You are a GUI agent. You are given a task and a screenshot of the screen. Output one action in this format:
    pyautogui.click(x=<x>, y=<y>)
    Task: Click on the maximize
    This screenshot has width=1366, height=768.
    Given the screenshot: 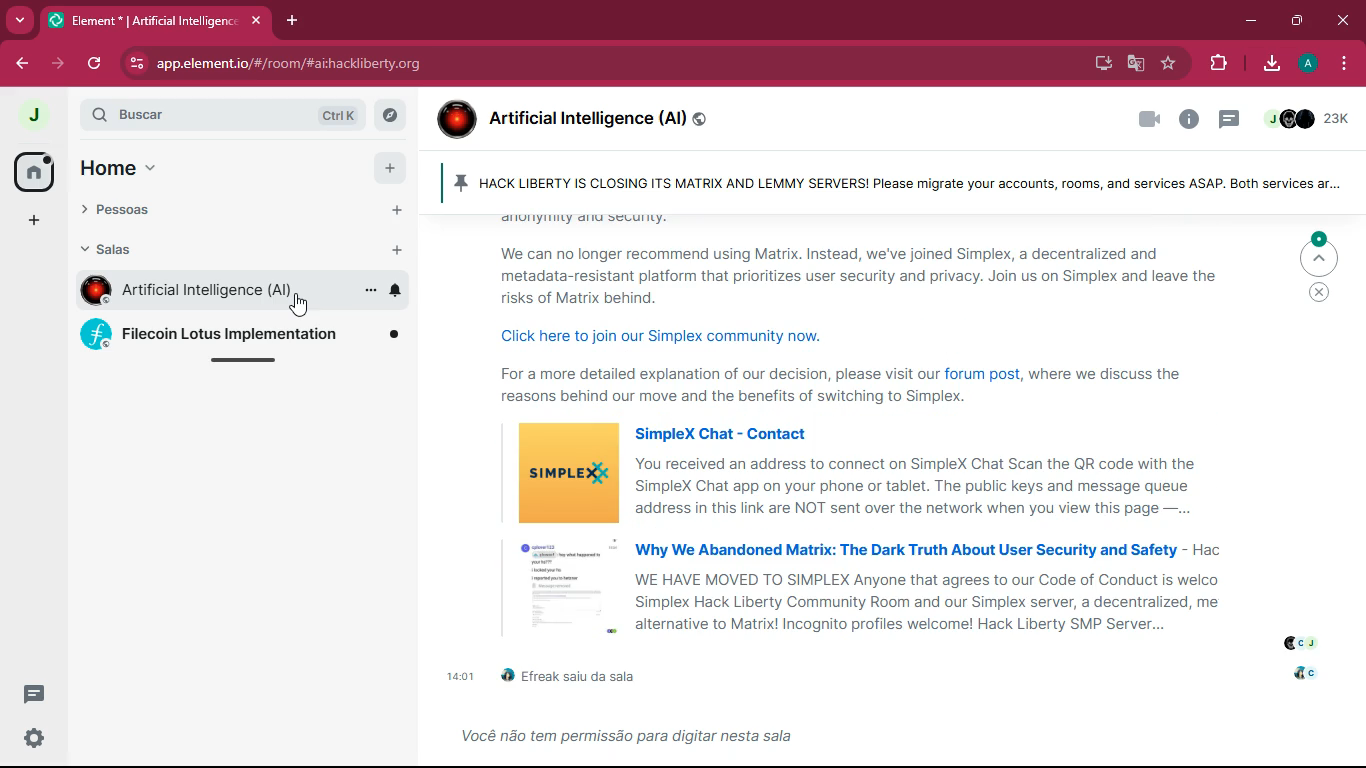 What is the action you would take?
    pyautogui.click(x=1293, y=21)
    